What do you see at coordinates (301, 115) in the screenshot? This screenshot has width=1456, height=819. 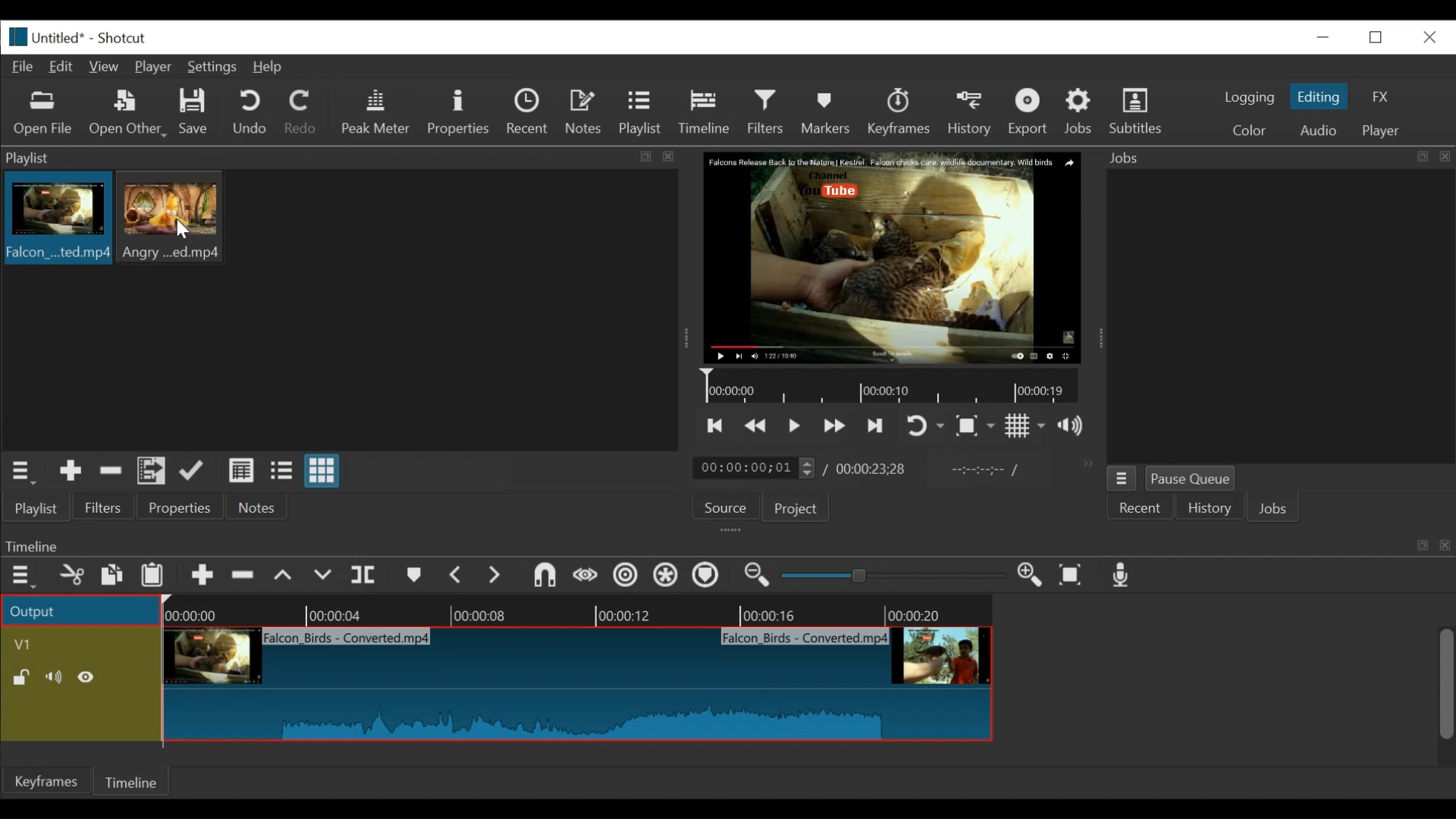 I see `Redo` at bounding box center [301, 115].